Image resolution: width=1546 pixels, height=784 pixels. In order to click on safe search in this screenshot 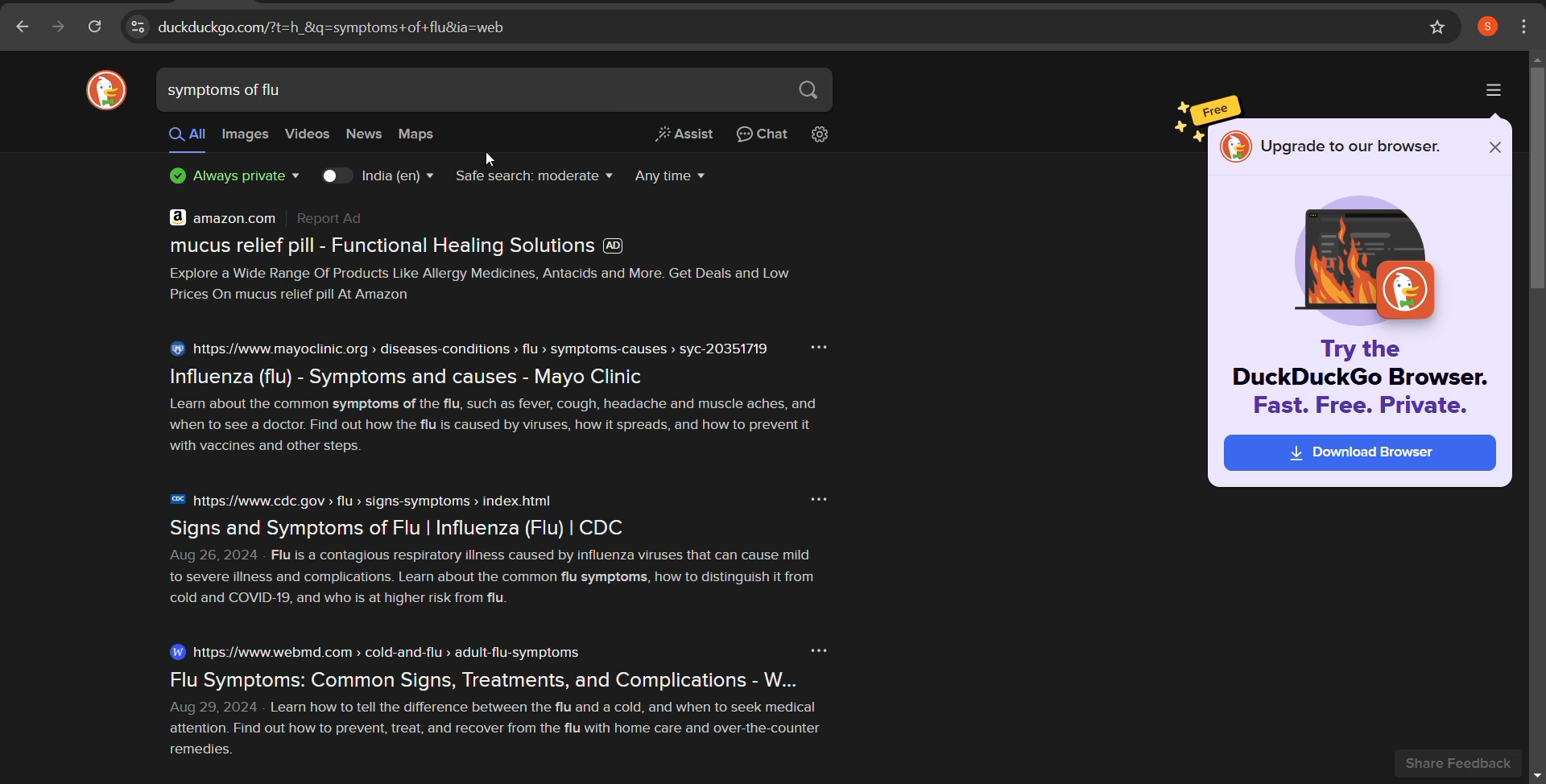, I will do `click(534, 177)`.